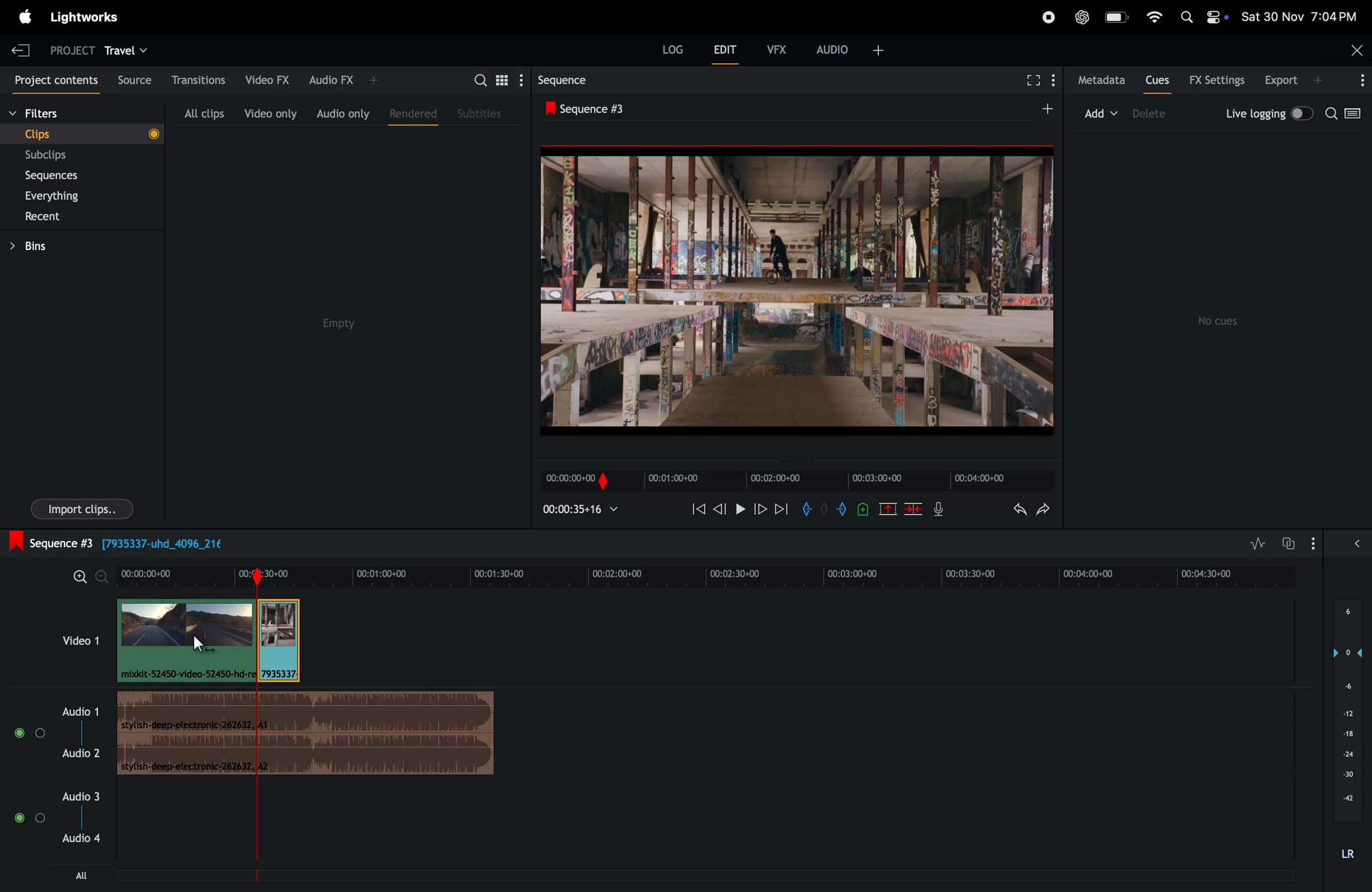  I want to click on Audio, so click(29, 818).